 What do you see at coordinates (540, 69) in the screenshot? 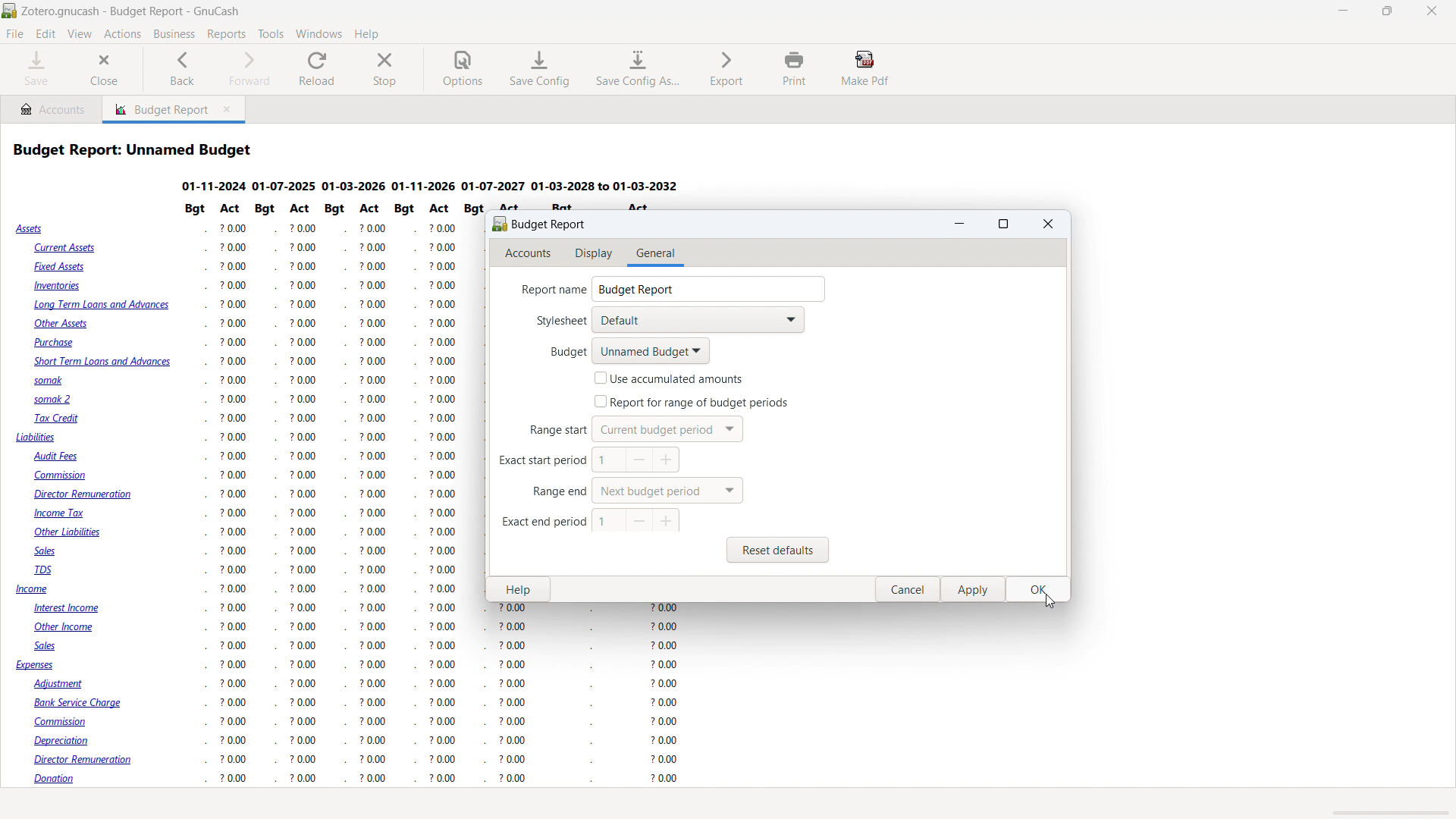
I see `save configuration` at bounding box center [540, 69].